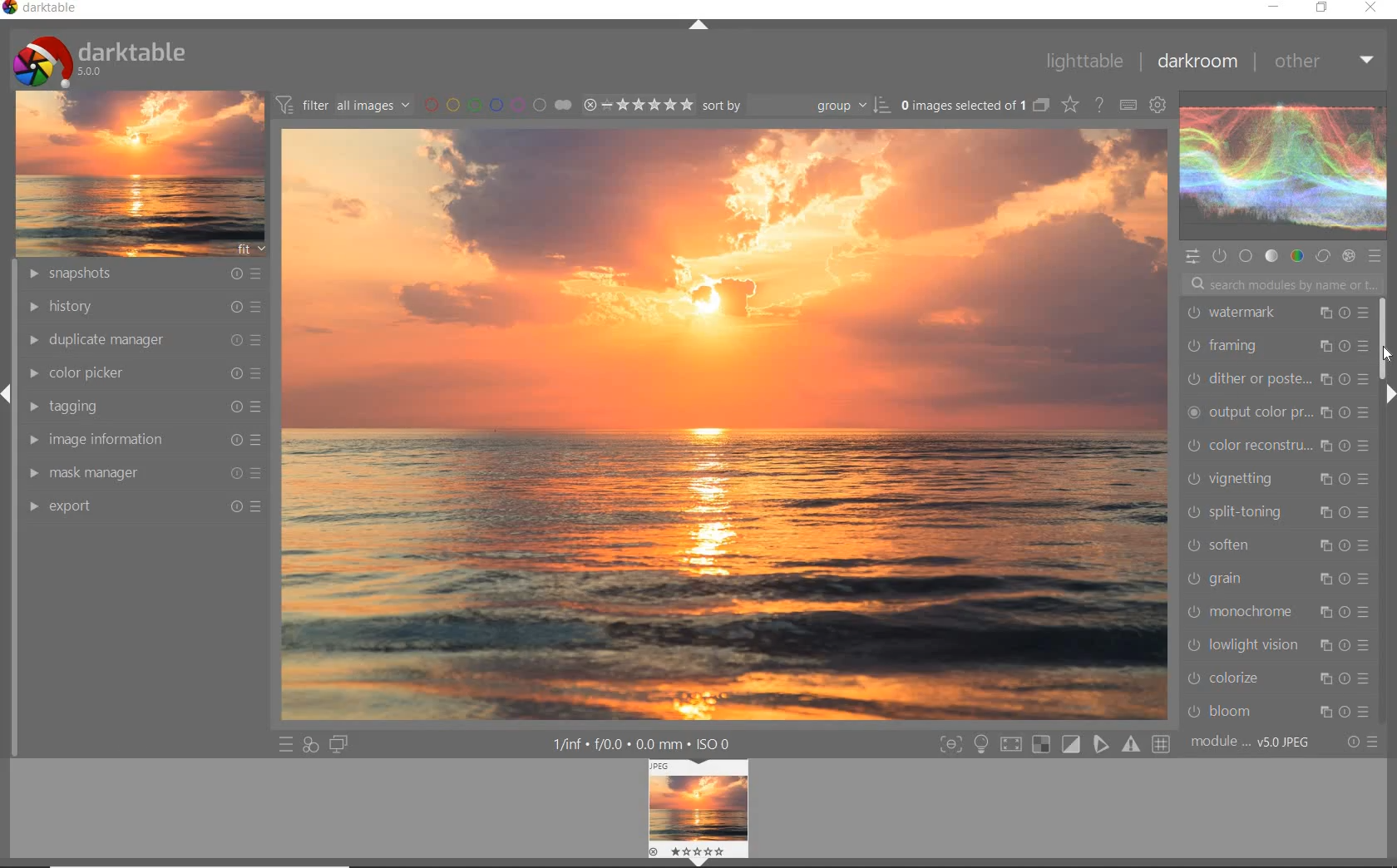  Describe the element at coordinates (1159, 104) in the screenshot. I see `show global preference` at that location.